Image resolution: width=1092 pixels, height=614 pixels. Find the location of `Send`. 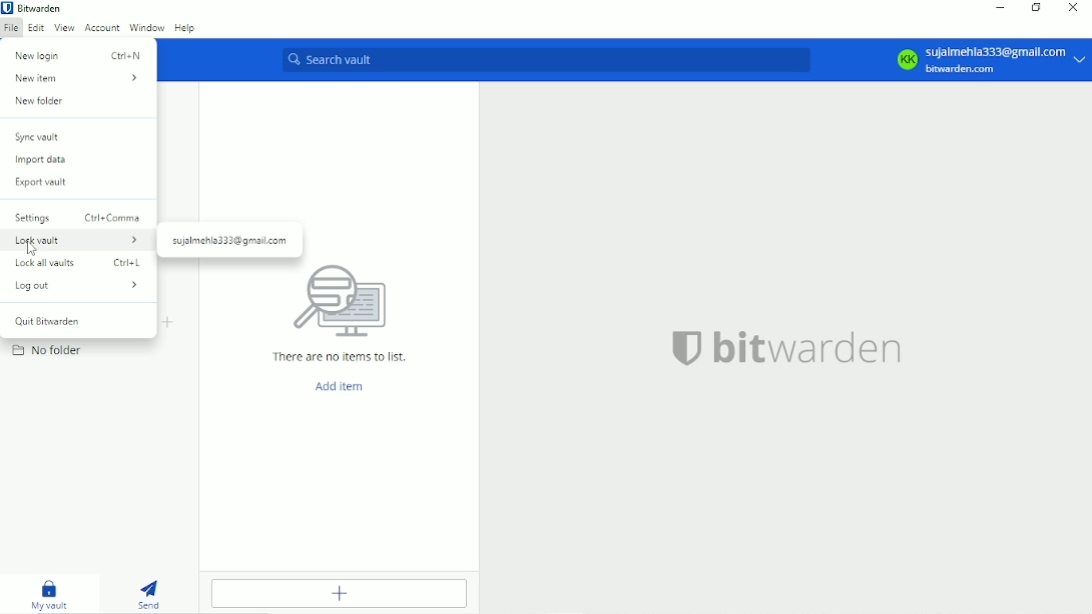

Send is located at coordinates (150, 593).